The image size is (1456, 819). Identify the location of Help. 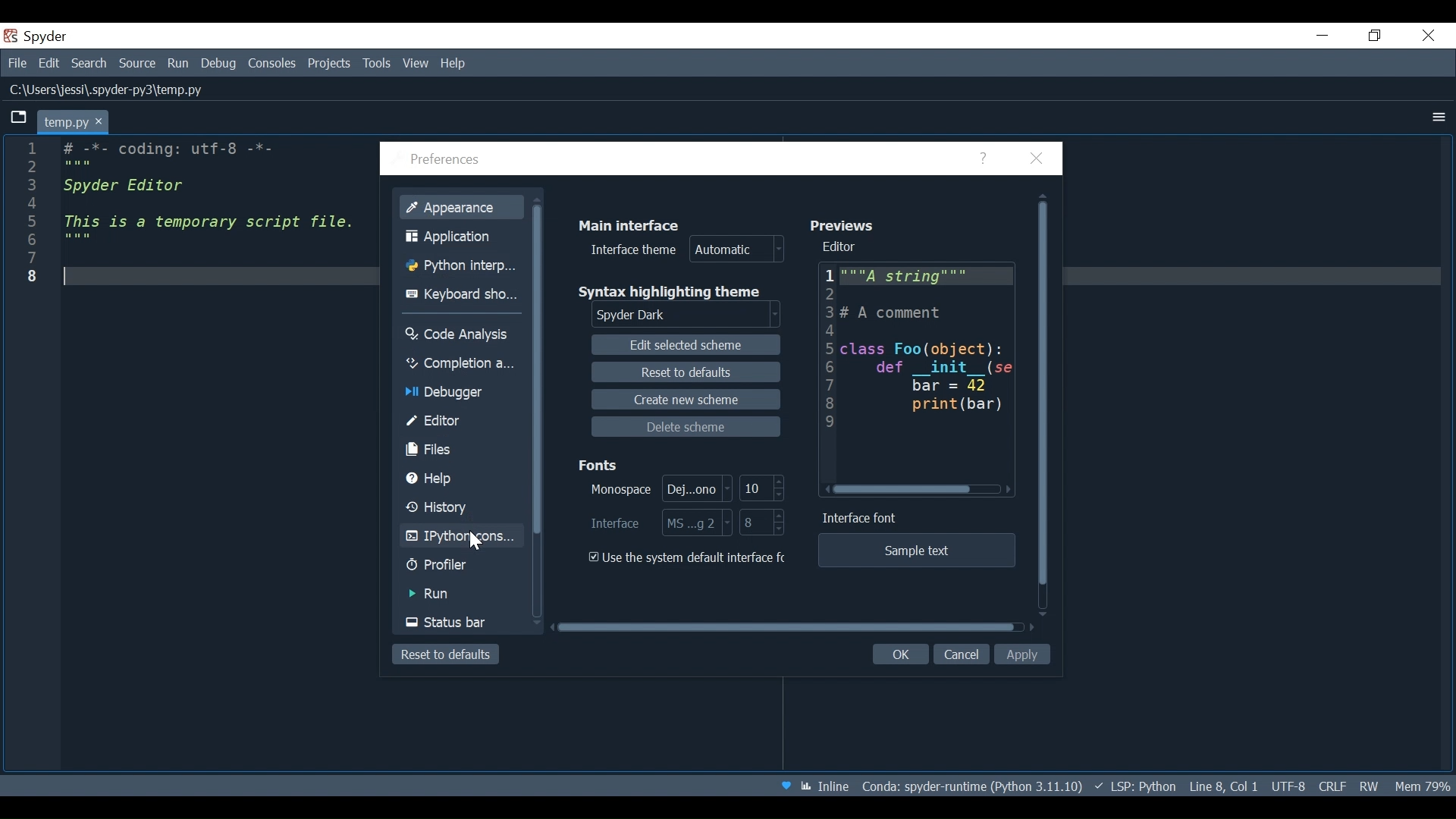
(451, 479).